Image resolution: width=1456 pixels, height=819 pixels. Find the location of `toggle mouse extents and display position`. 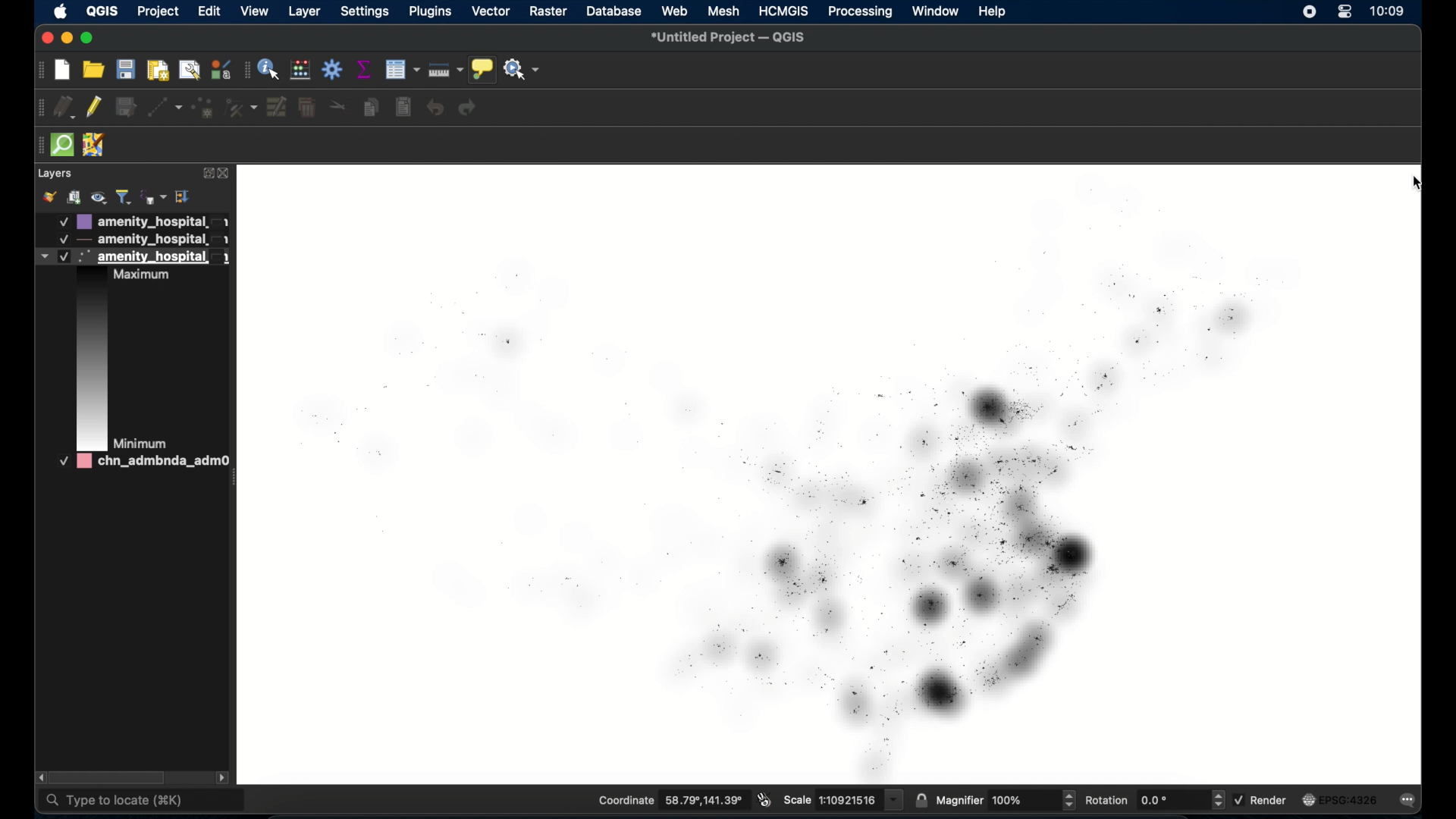

toggle mouse extents and display position is located at coordinates (764, 799).